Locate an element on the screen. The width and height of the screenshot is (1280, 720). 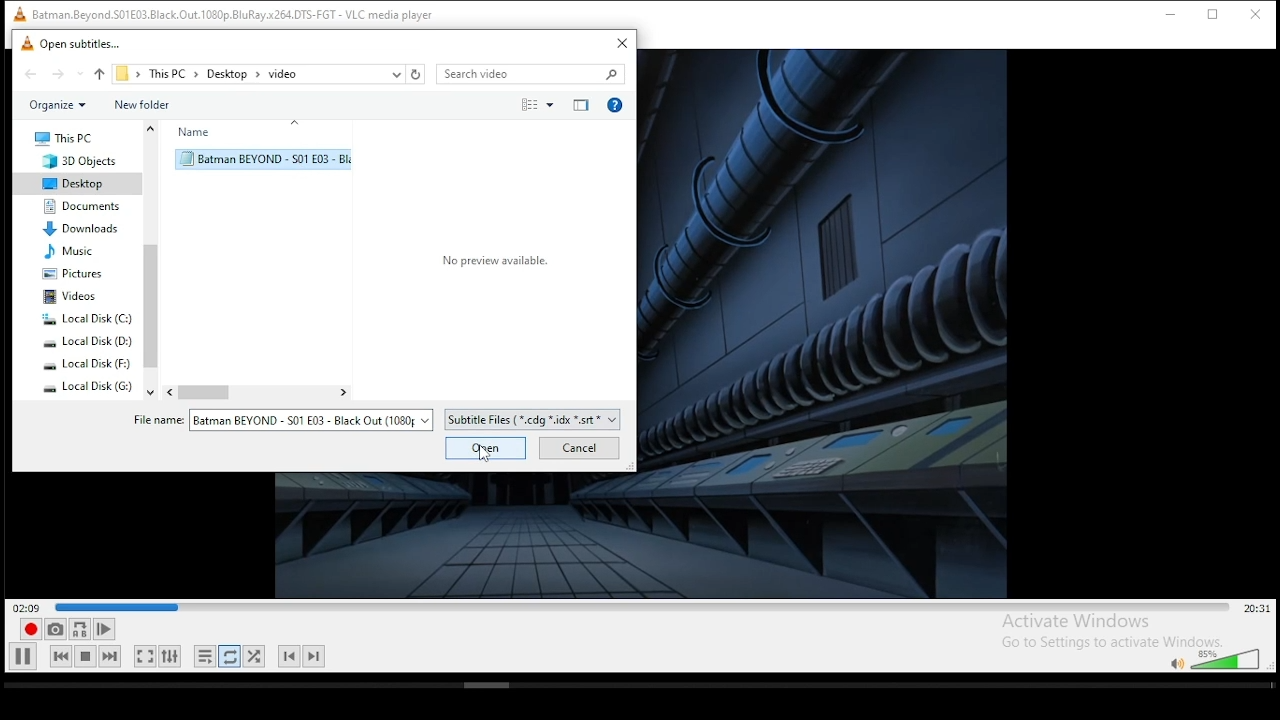
selected subtitle file is located at coordinates (264, 158).